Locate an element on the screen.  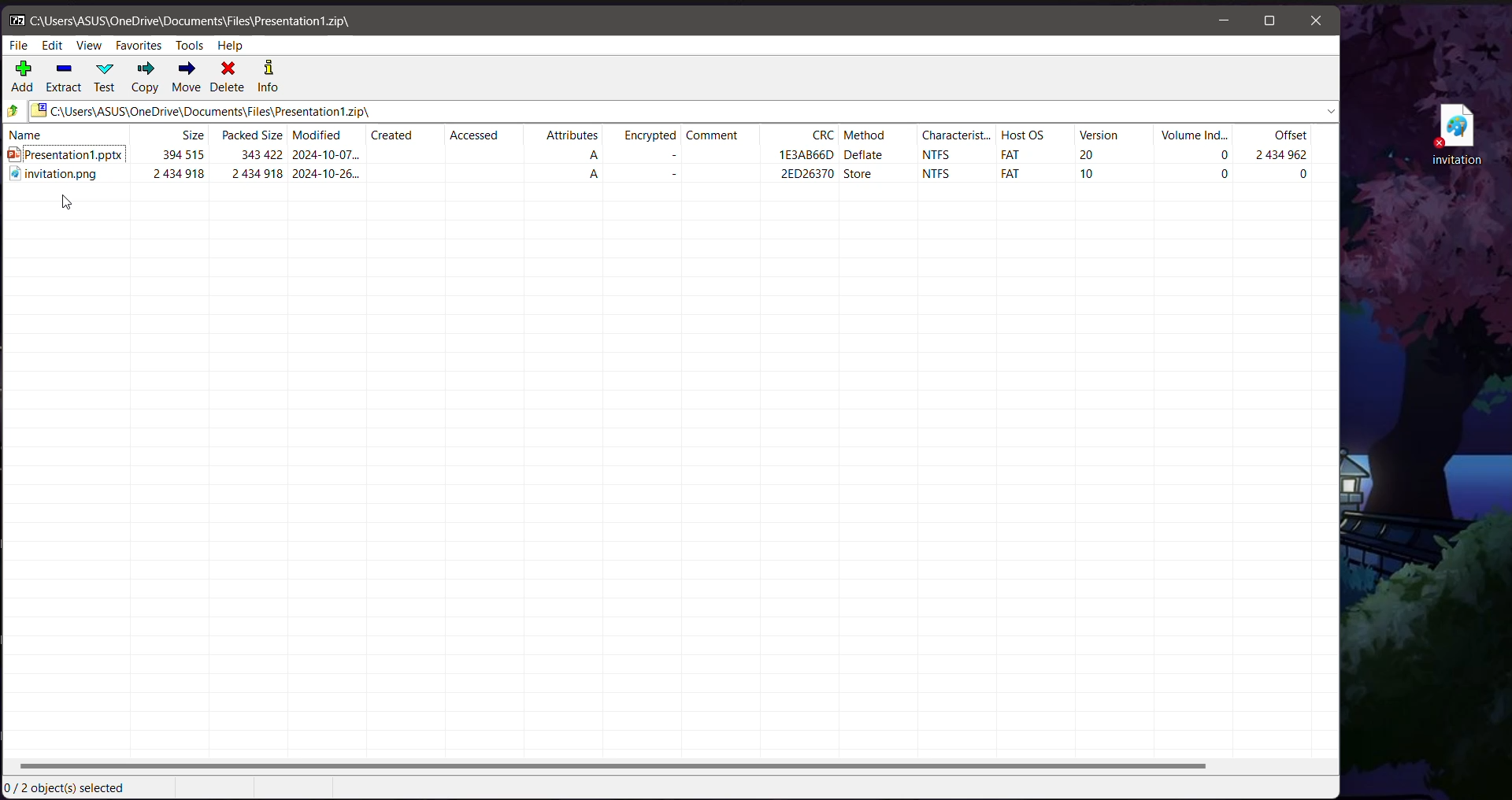
Minimize is located at coordinates (1226, 21).